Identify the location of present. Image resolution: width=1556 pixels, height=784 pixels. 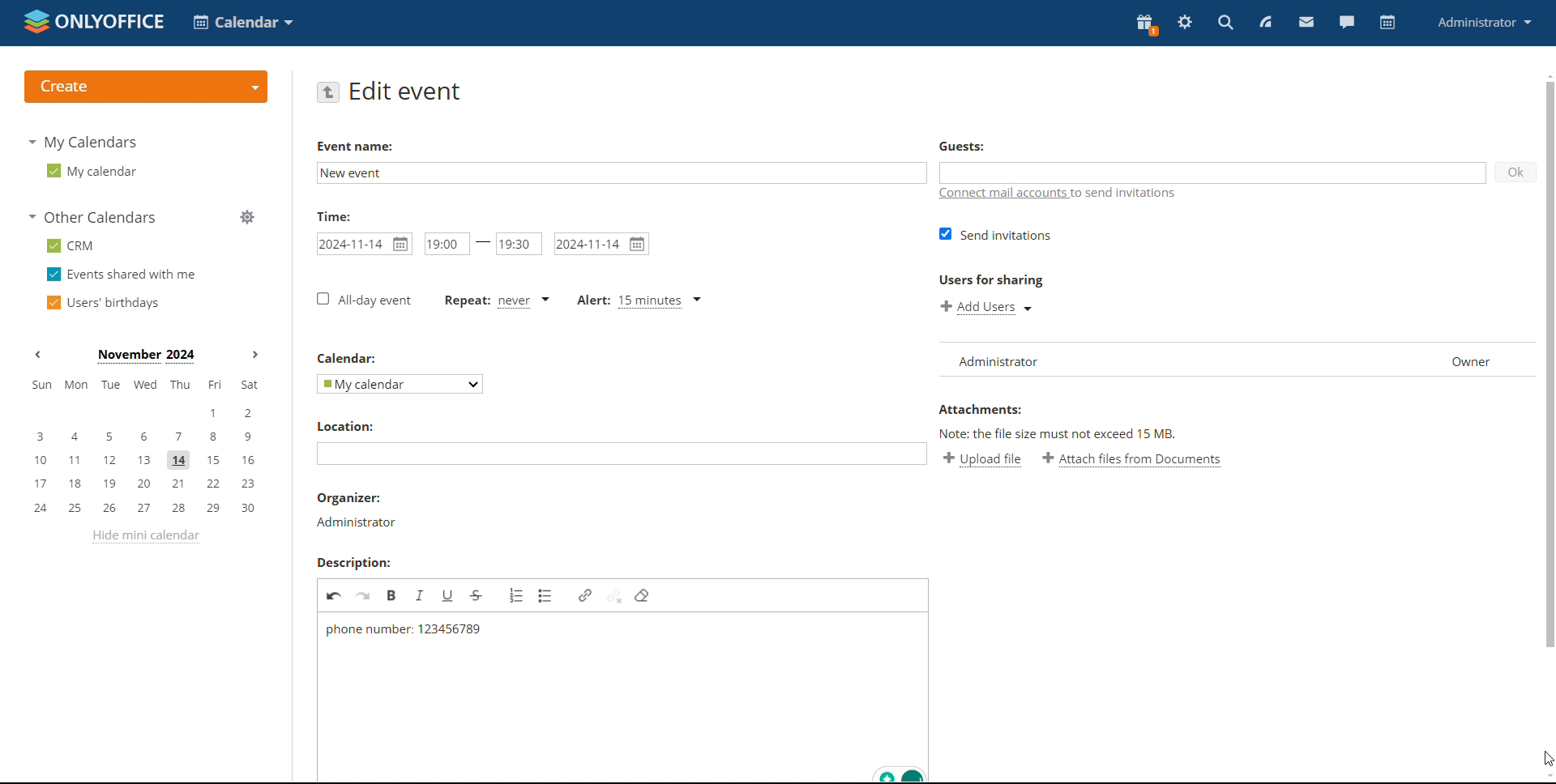
(1145, 24).